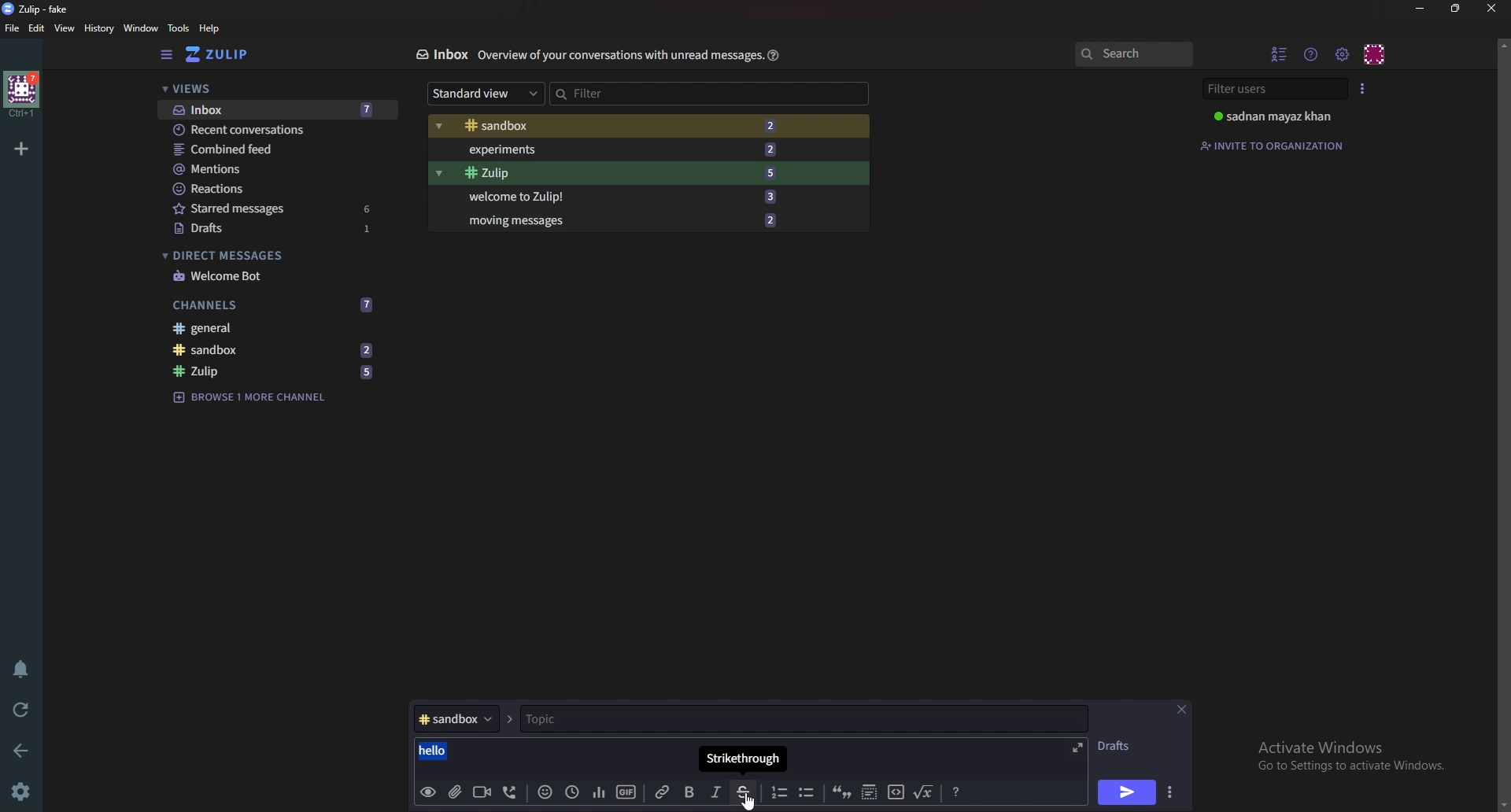  Describe the element at coordinates (100, 28) in the screenshot. I see `history` at that location.